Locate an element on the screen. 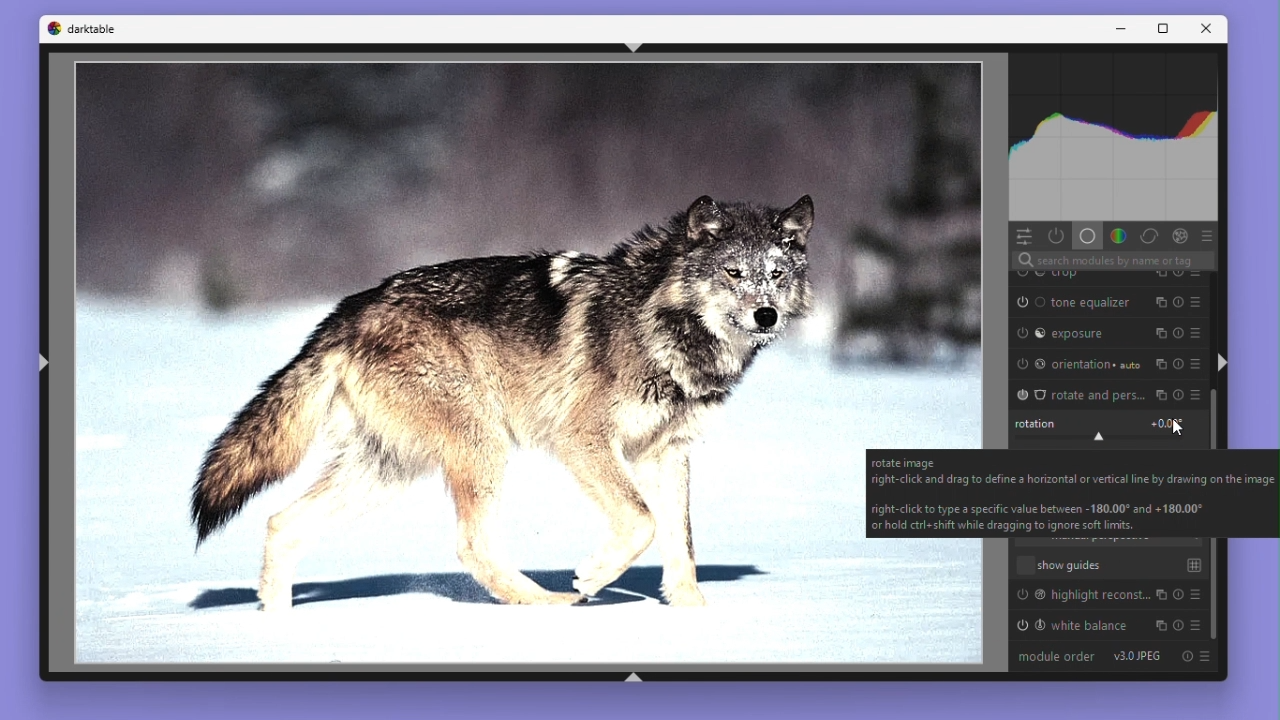 This screenshot has height=720, width=1280. Vertical scroll bar is located at coordinates (1219, 595).